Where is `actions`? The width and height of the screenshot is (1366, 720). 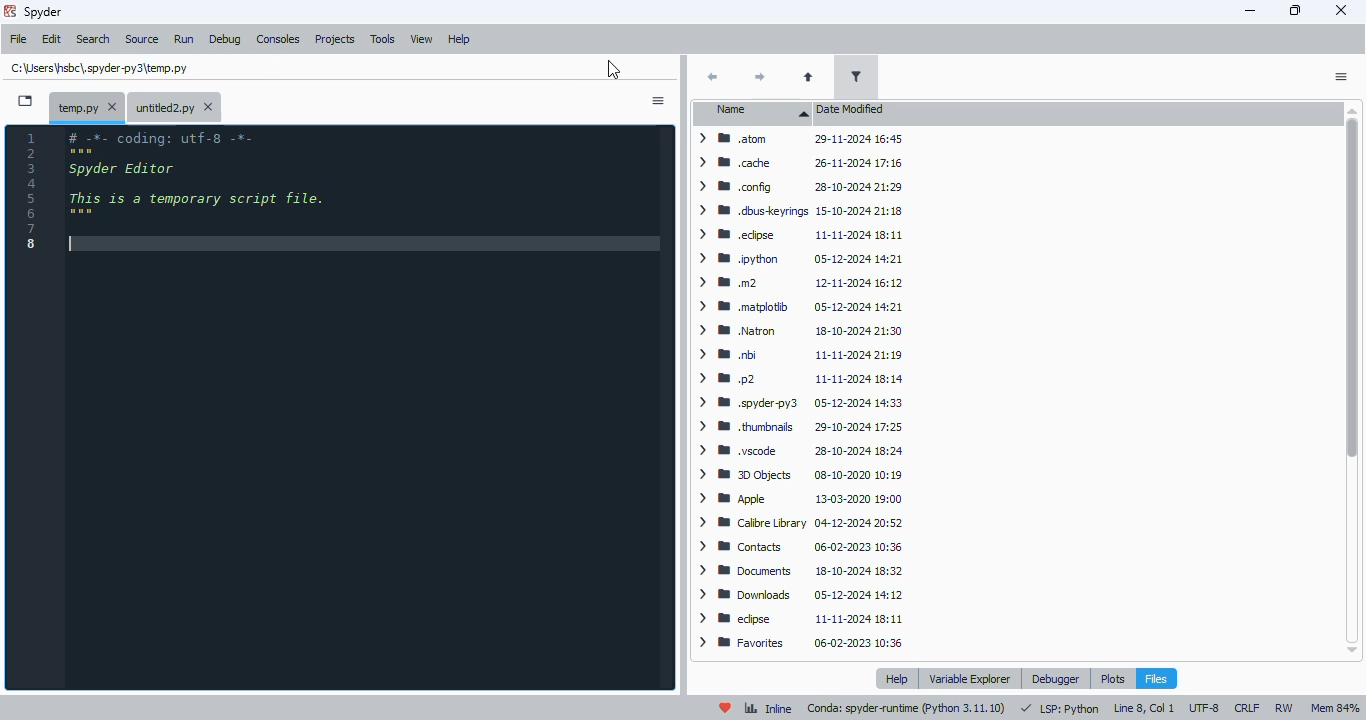
actions is located at coordinates (1340, 77).